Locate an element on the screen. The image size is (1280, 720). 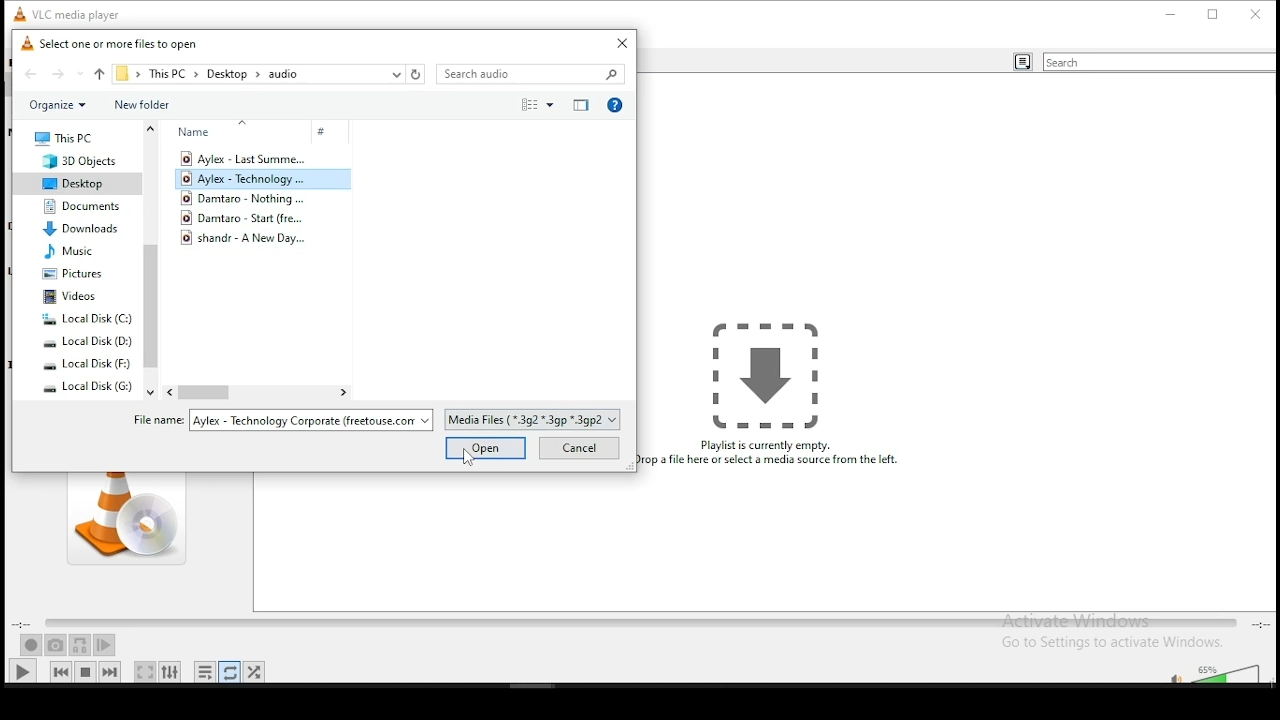
system drive 4 is located at coordinates (88, 386).